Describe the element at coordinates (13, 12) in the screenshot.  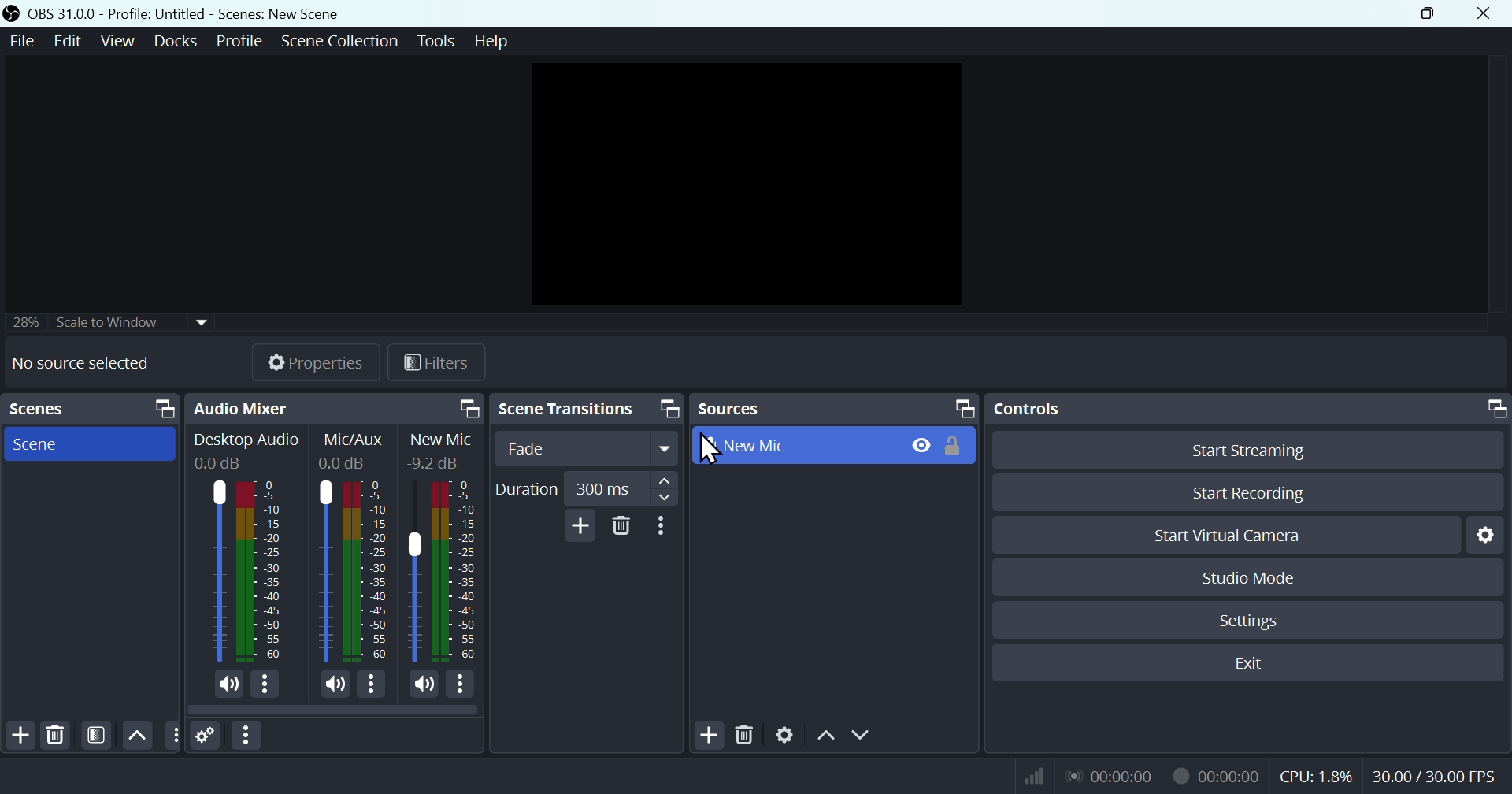
I see `obs studio icon` at that location.